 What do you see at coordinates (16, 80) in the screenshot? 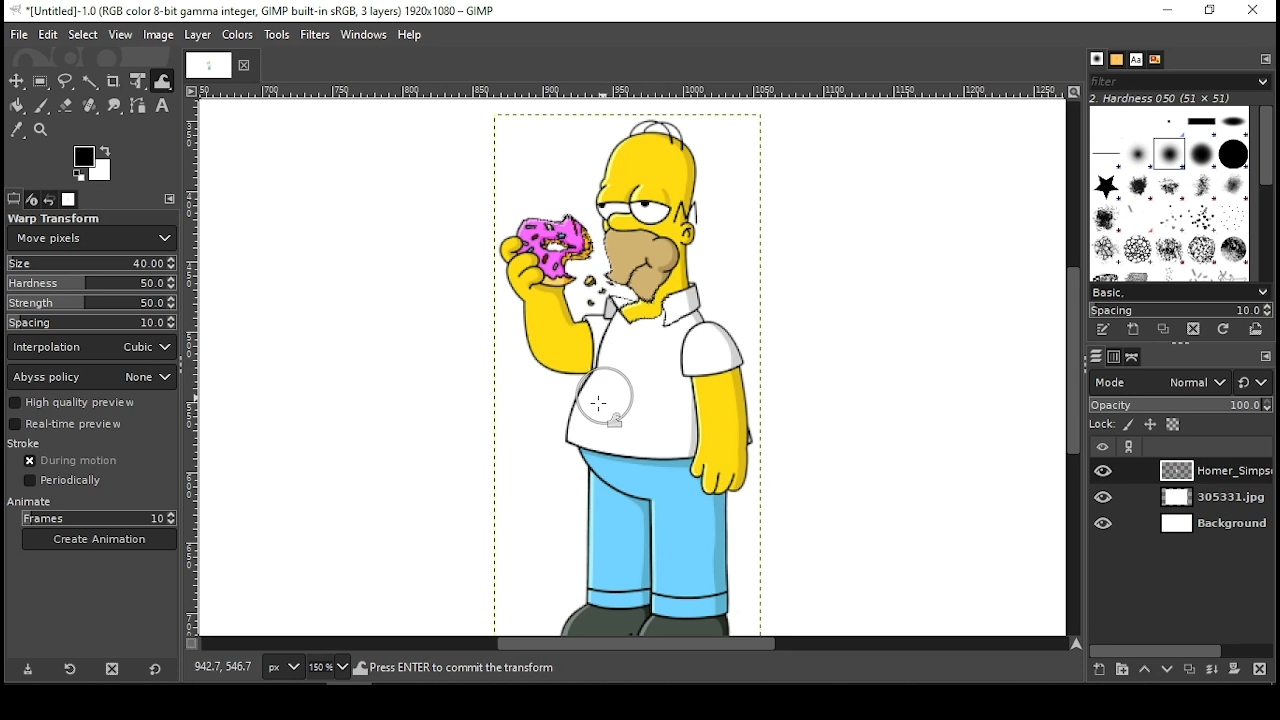
I see `move tool` at bounding box center [16, 80].